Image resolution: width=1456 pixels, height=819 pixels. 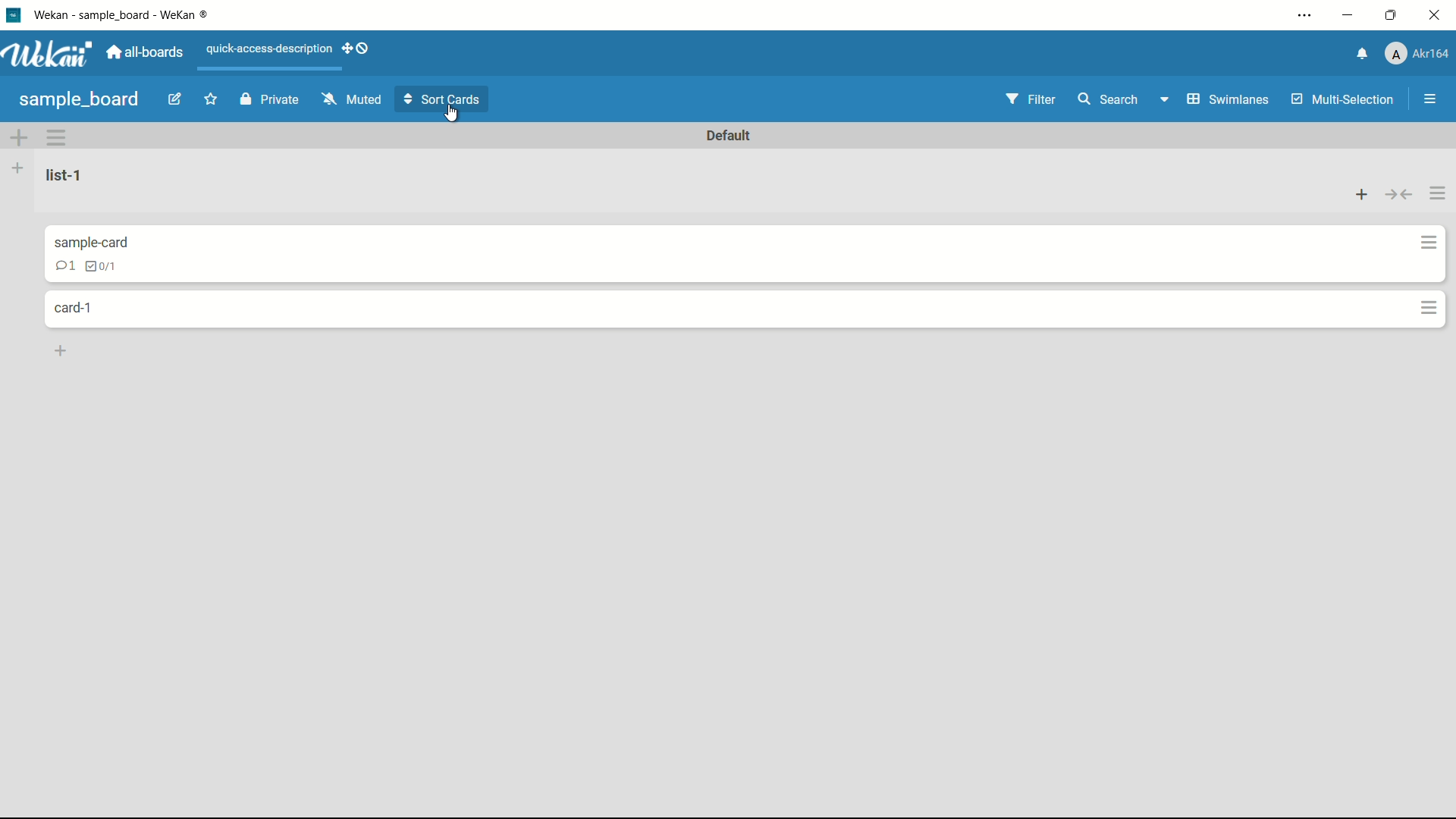 I want to click on sort cards, so click(x=445, y=98).